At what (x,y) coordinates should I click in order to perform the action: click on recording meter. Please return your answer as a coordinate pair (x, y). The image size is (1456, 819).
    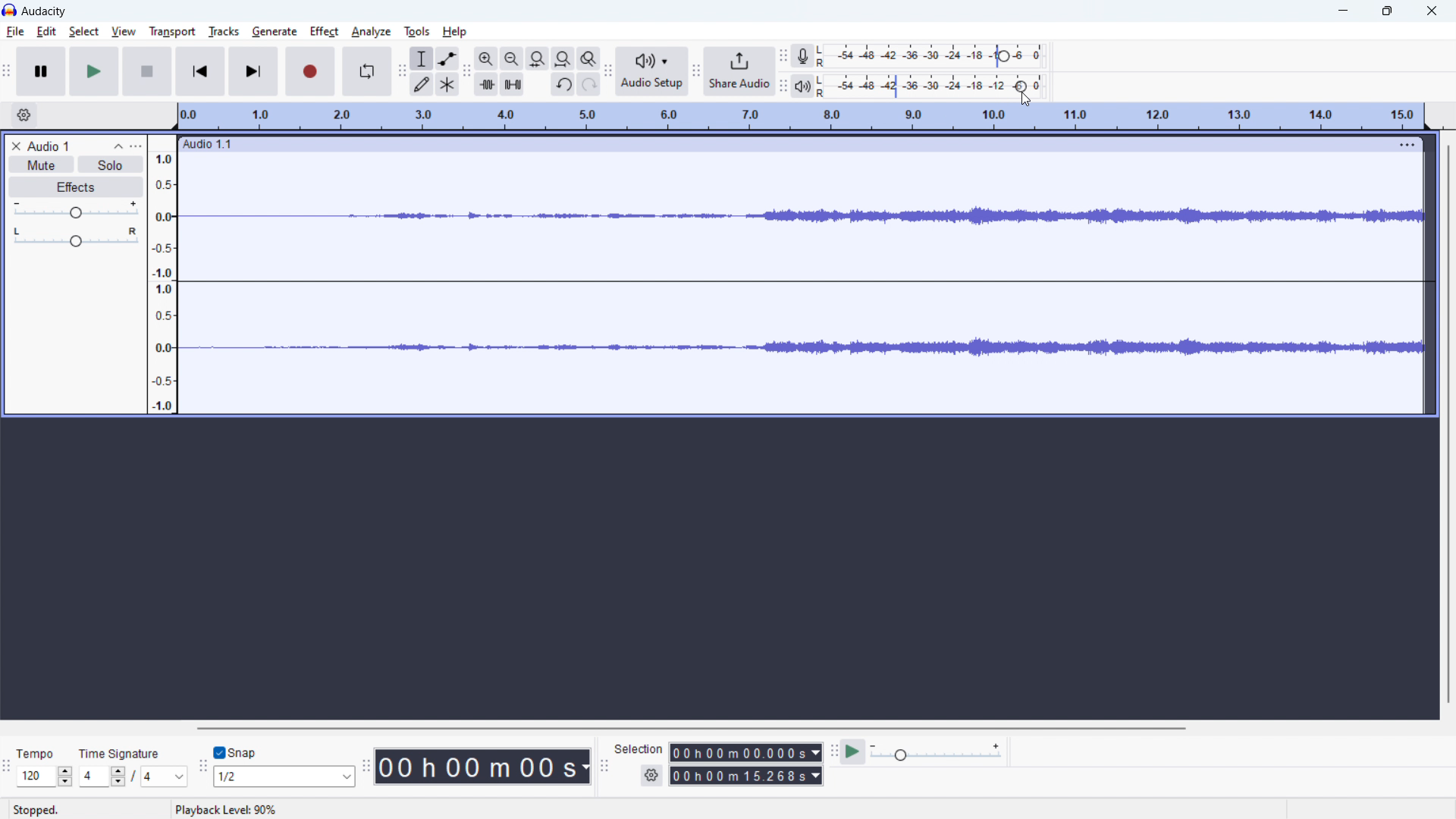
    Looking at the image, I should click on (803, 56).